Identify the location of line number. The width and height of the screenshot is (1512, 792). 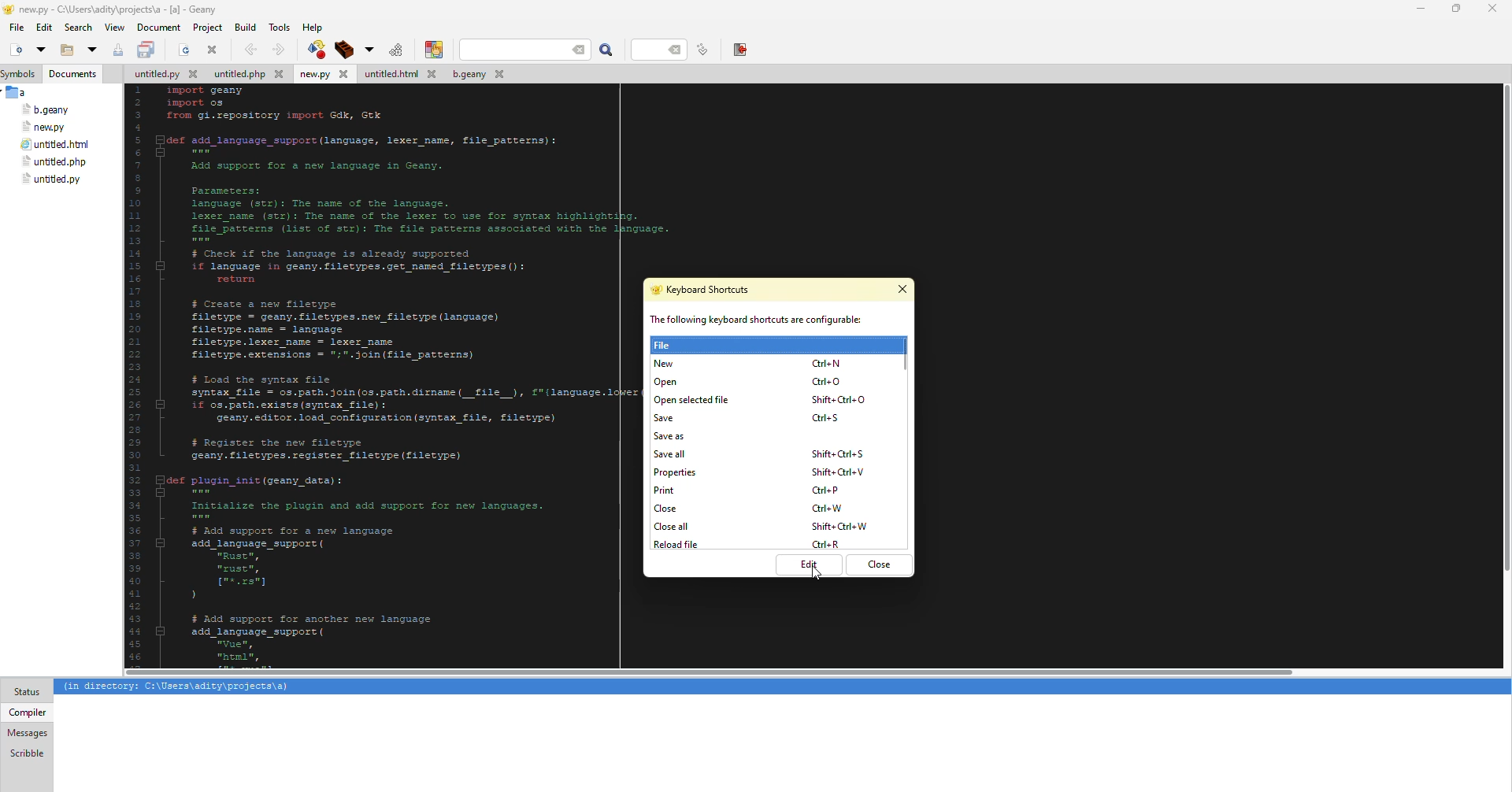
(702, 50).